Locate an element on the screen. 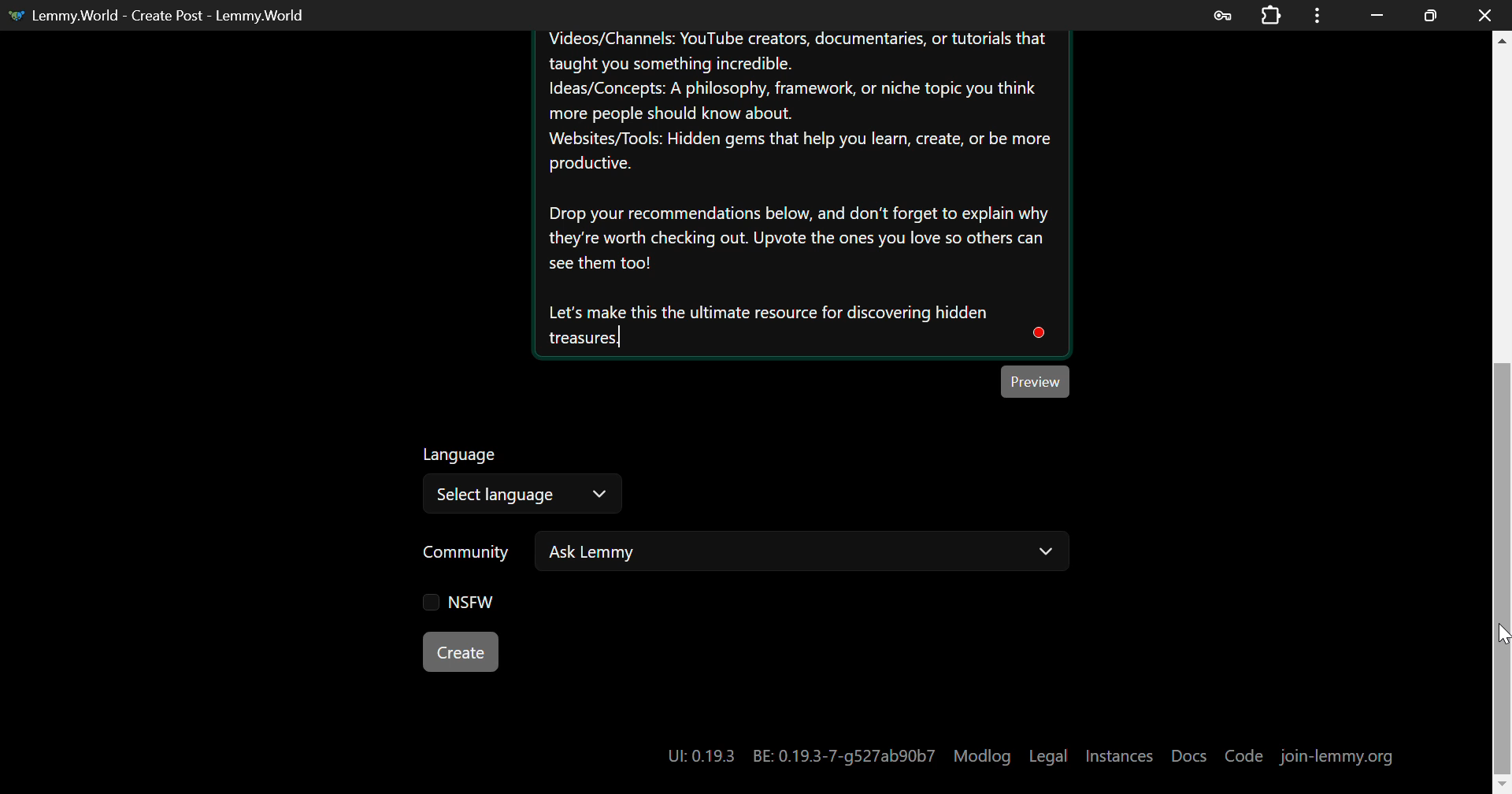  Close Window is located at coordinates (1485, 13).